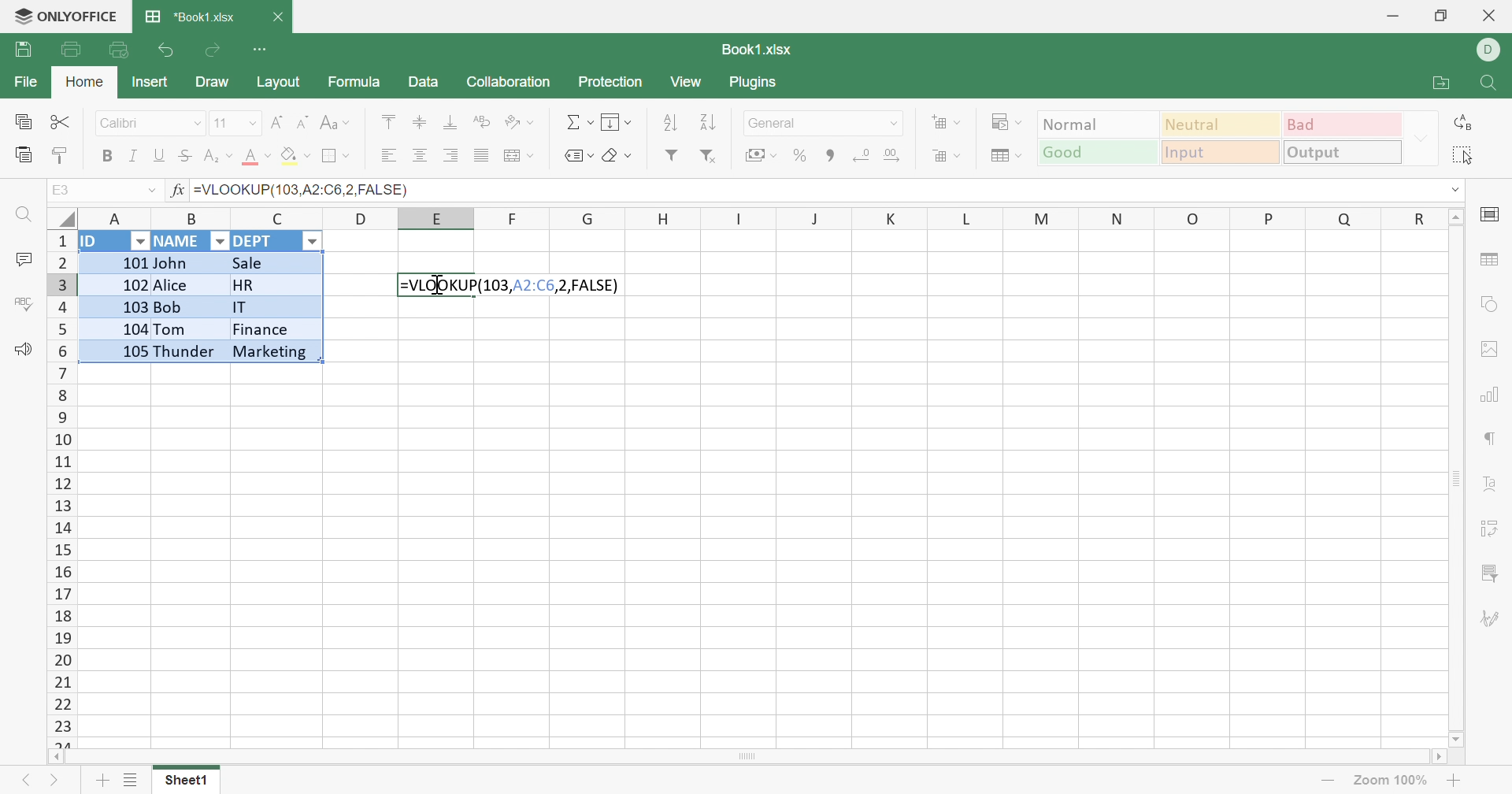 The image size is (1512, 794). I want to click on Scroll Up, so click(1458, 217).